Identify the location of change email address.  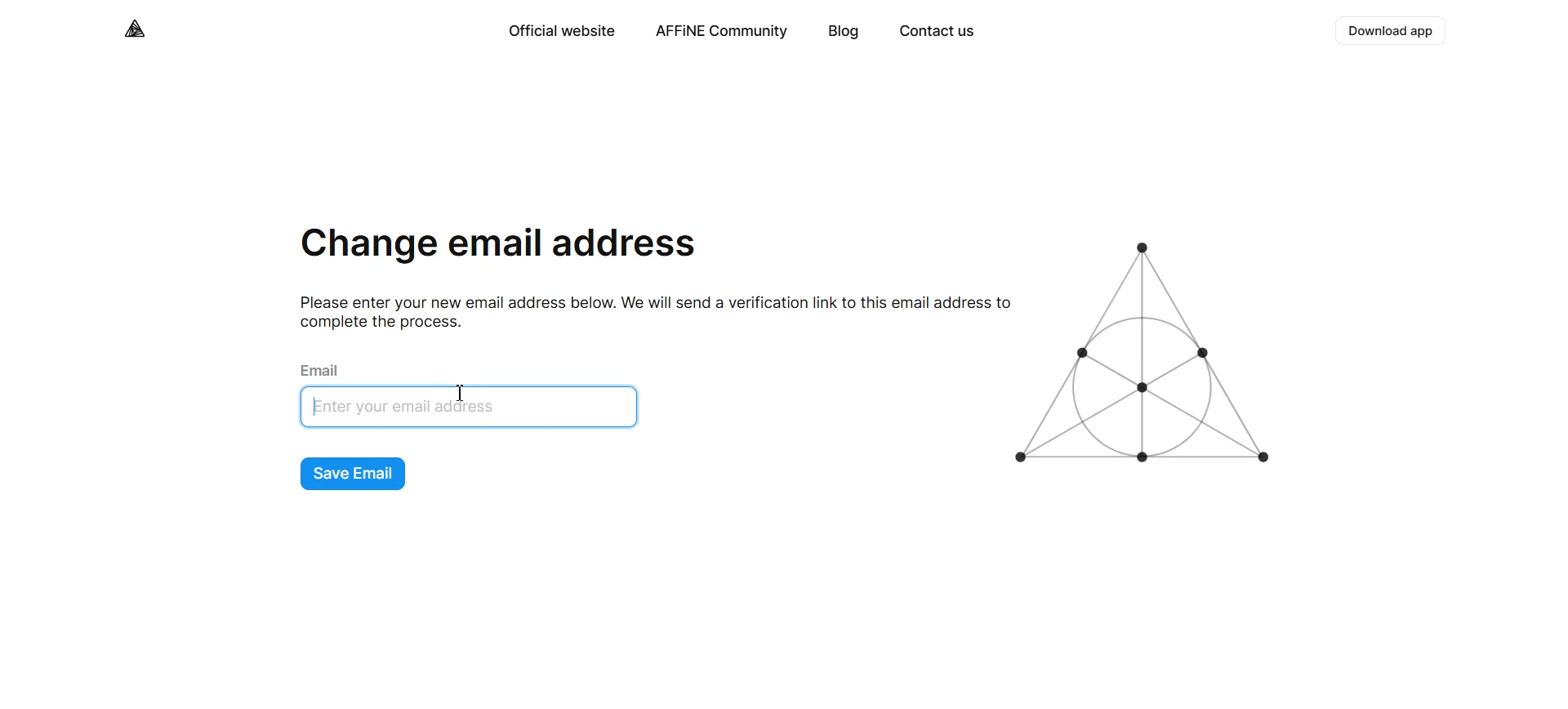
(499, 247).